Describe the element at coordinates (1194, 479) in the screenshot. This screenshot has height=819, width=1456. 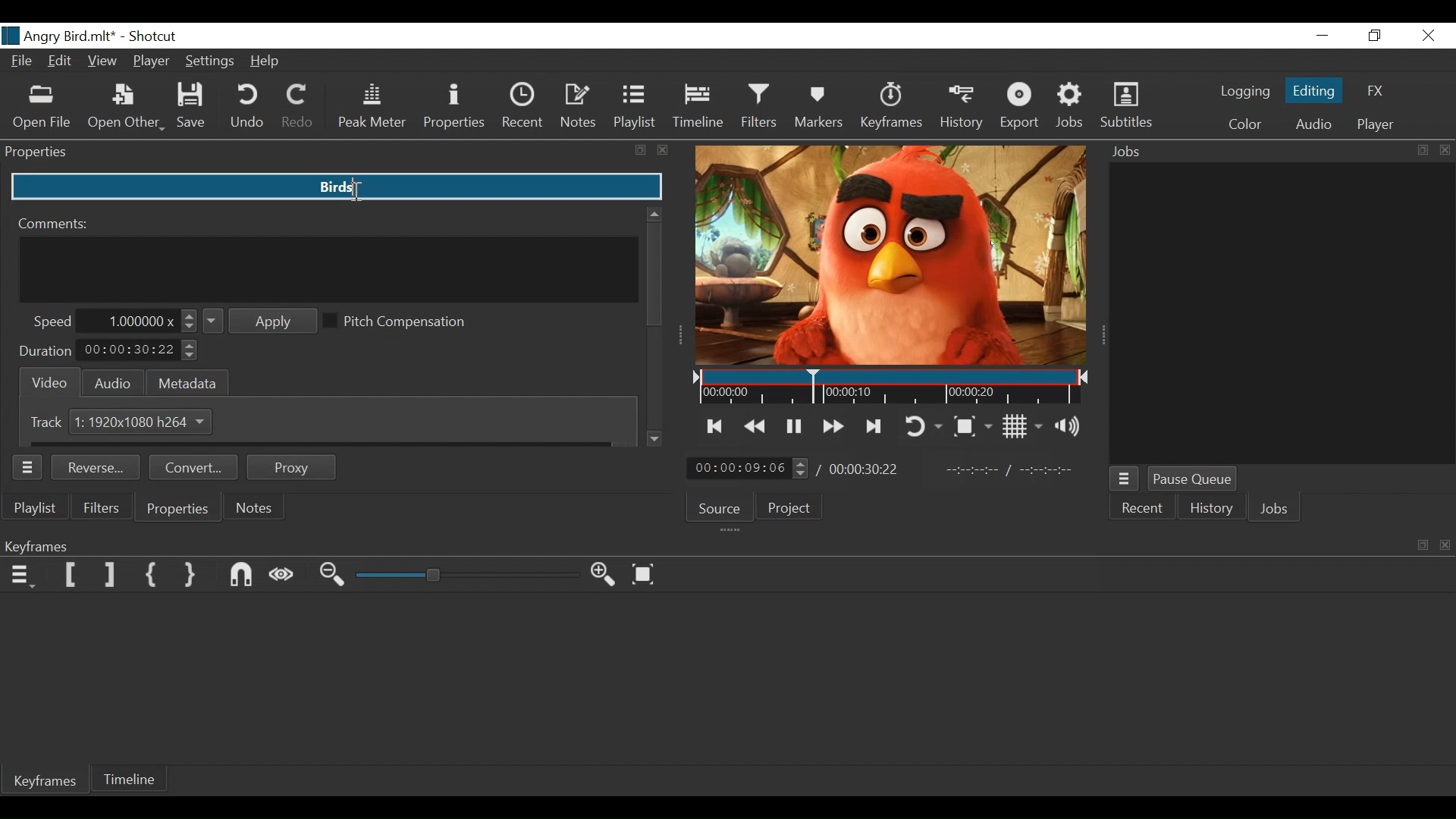
I see `Pause Queue` at that location.